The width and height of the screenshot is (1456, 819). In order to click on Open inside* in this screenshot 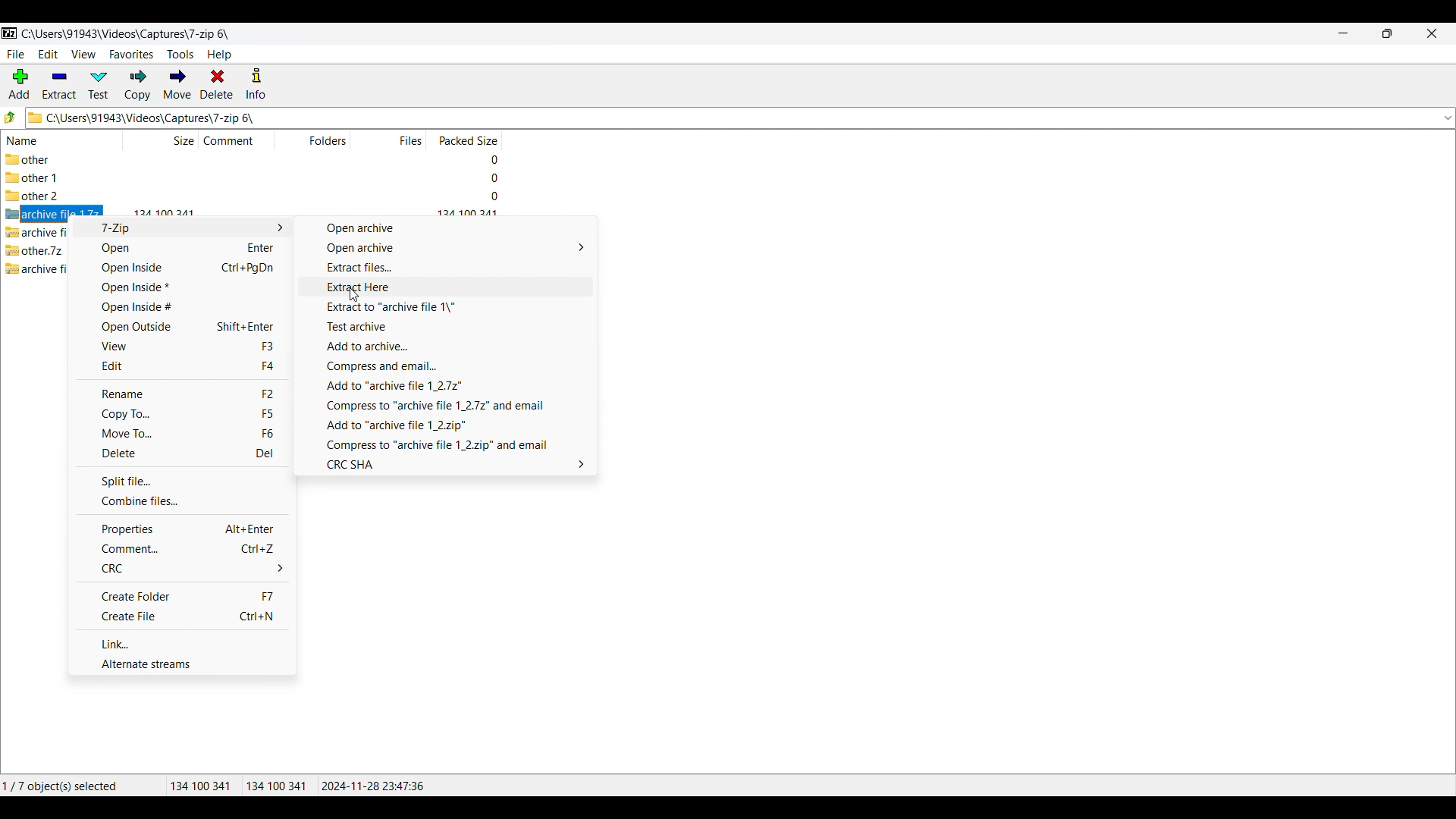, I will do `click(180, 287)`.